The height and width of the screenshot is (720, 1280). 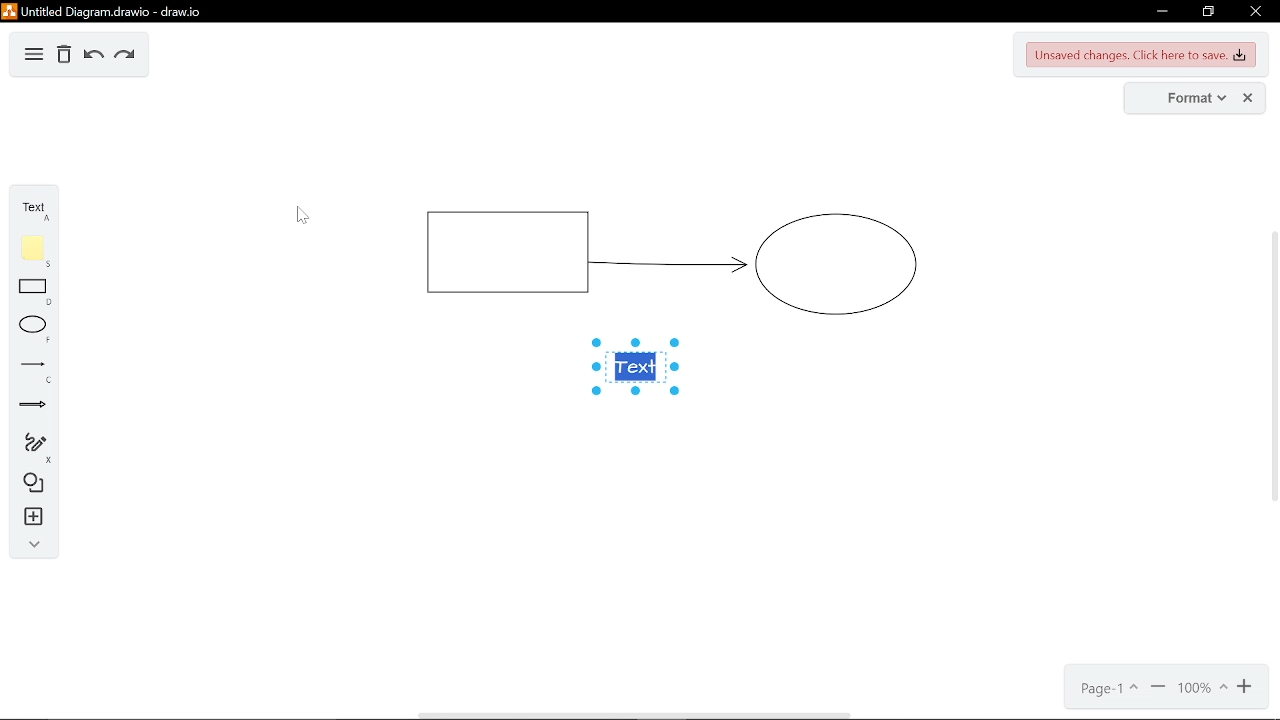 What do you see at coordinates (1180, 98) in the screenshot?
I see `format` at bounding box center [1180, 98].